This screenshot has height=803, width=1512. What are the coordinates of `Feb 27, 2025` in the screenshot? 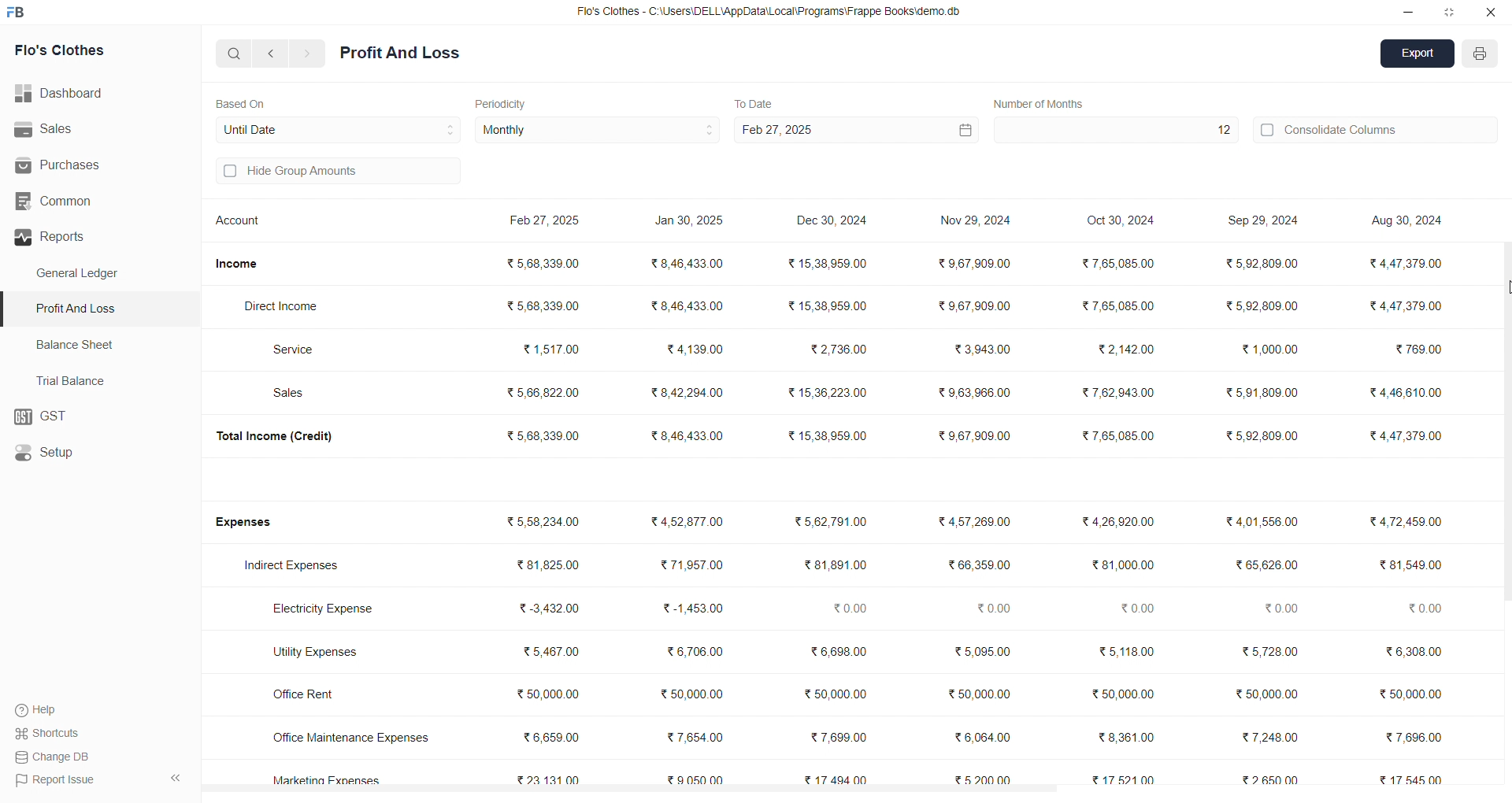 It's located at (547, 222).